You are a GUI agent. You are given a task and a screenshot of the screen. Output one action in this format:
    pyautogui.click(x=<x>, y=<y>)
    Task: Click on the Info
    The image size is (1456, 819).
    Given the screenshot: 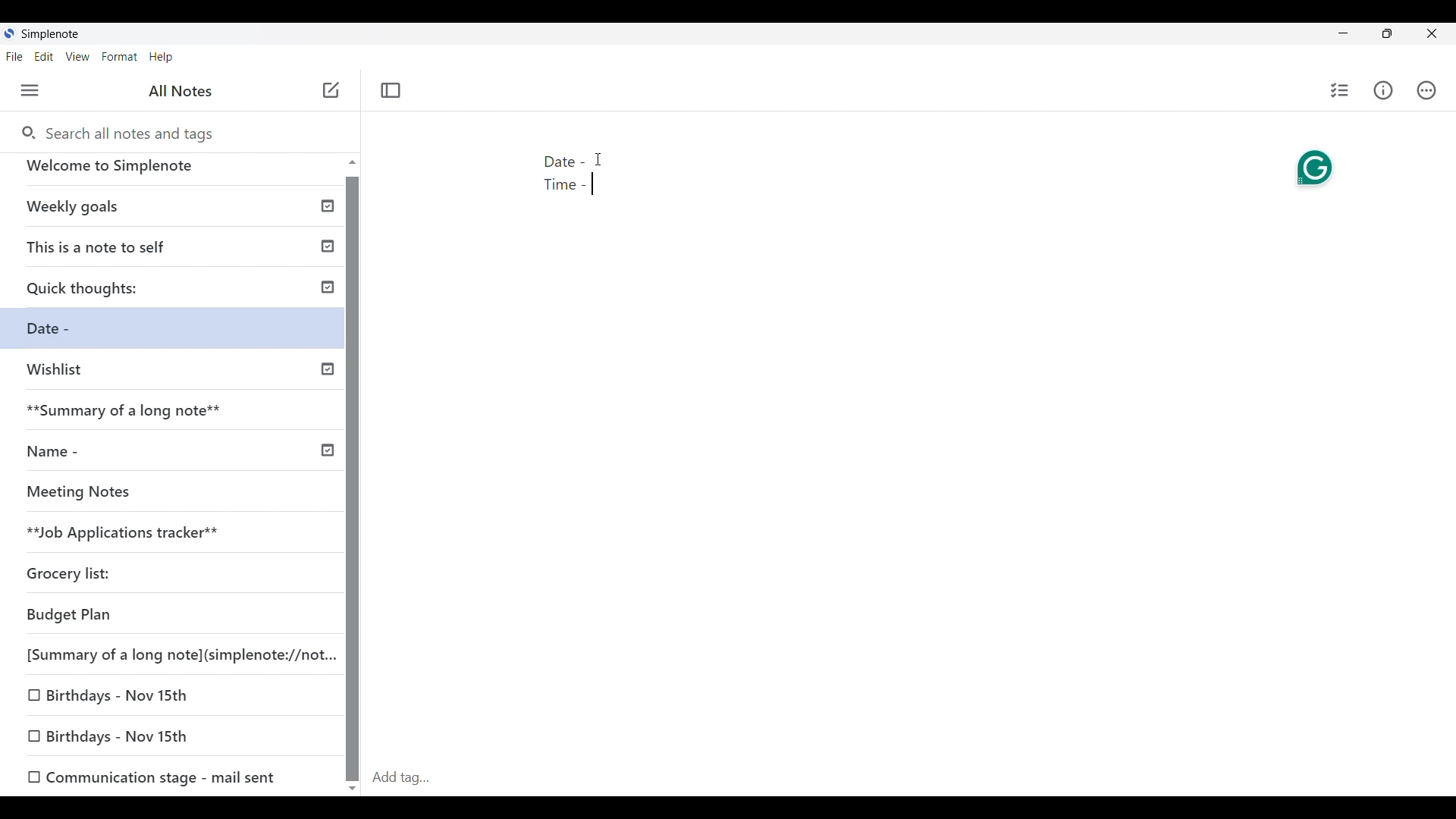 What is the action you would take?
    pyautogui.click(x=1383, y=90)
    